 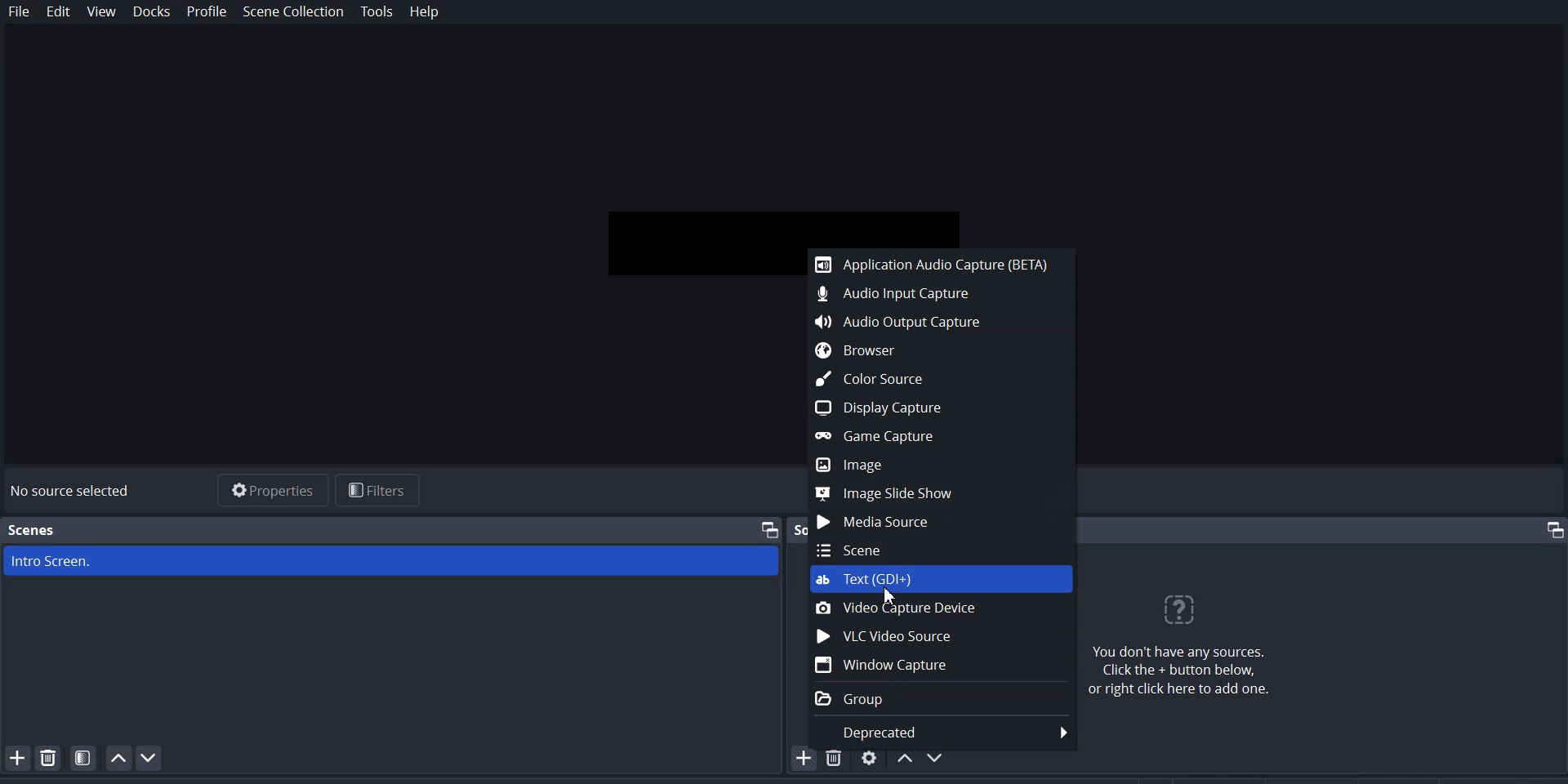 What do you see at coordinates (942, 581) in the screenshot?
I see `Text GD+` at bounding box center [942, 581].